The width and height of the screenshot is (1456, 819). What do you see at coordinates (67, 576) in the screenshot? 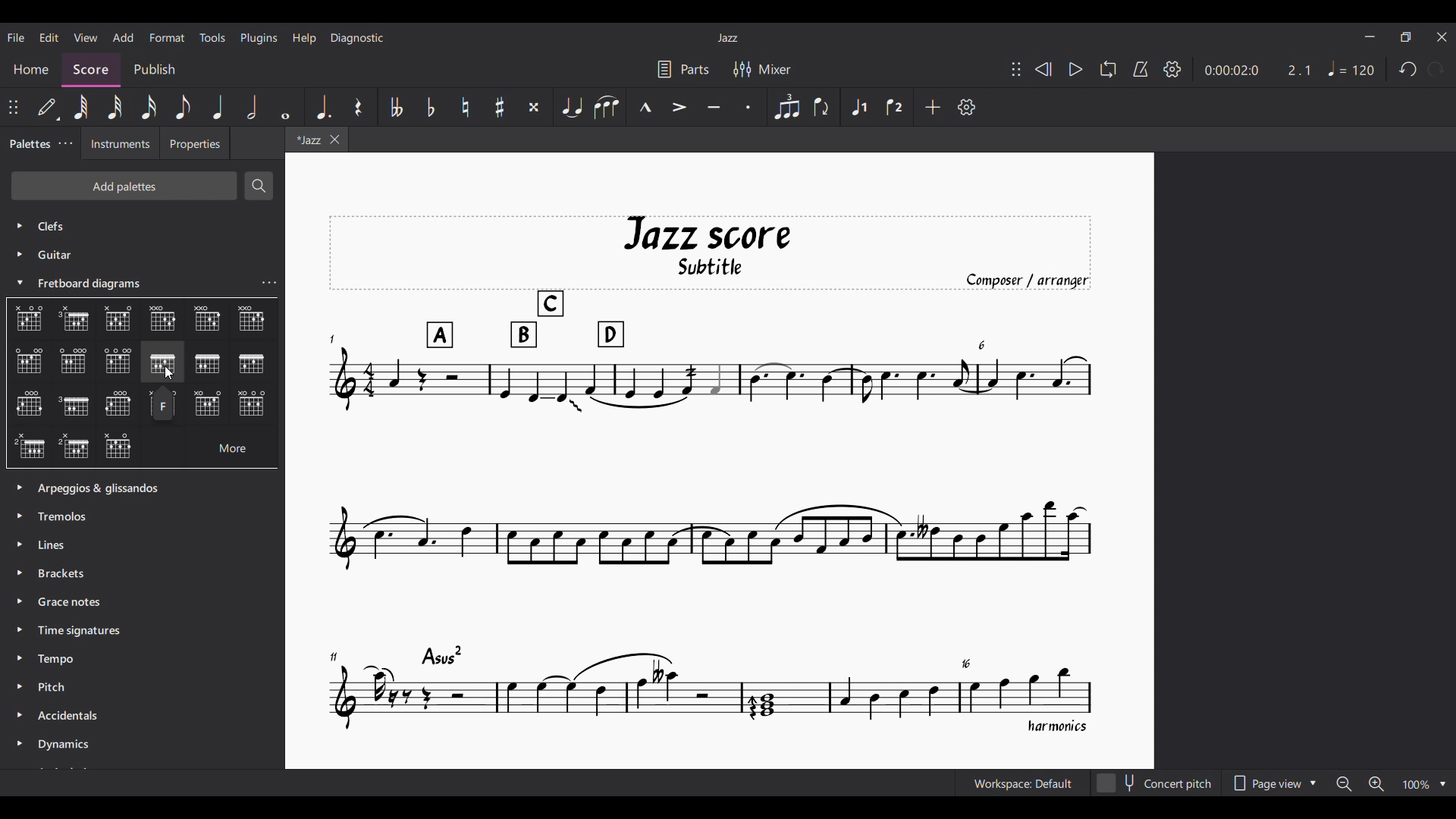
I see `Brackets` at bounding box center [67, 576].